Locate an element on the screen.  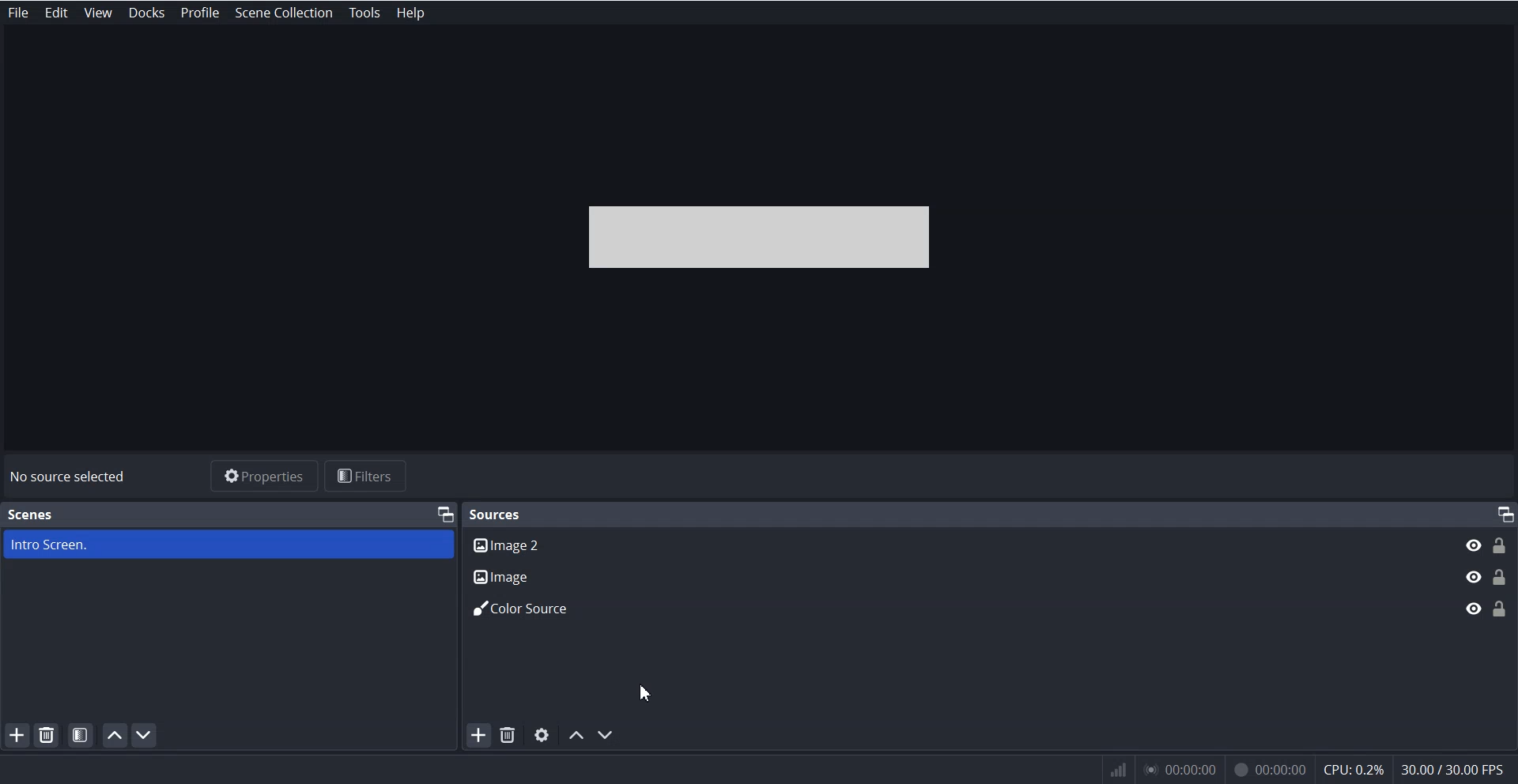
Remove Selected Source is located at coordinates (508, 736).